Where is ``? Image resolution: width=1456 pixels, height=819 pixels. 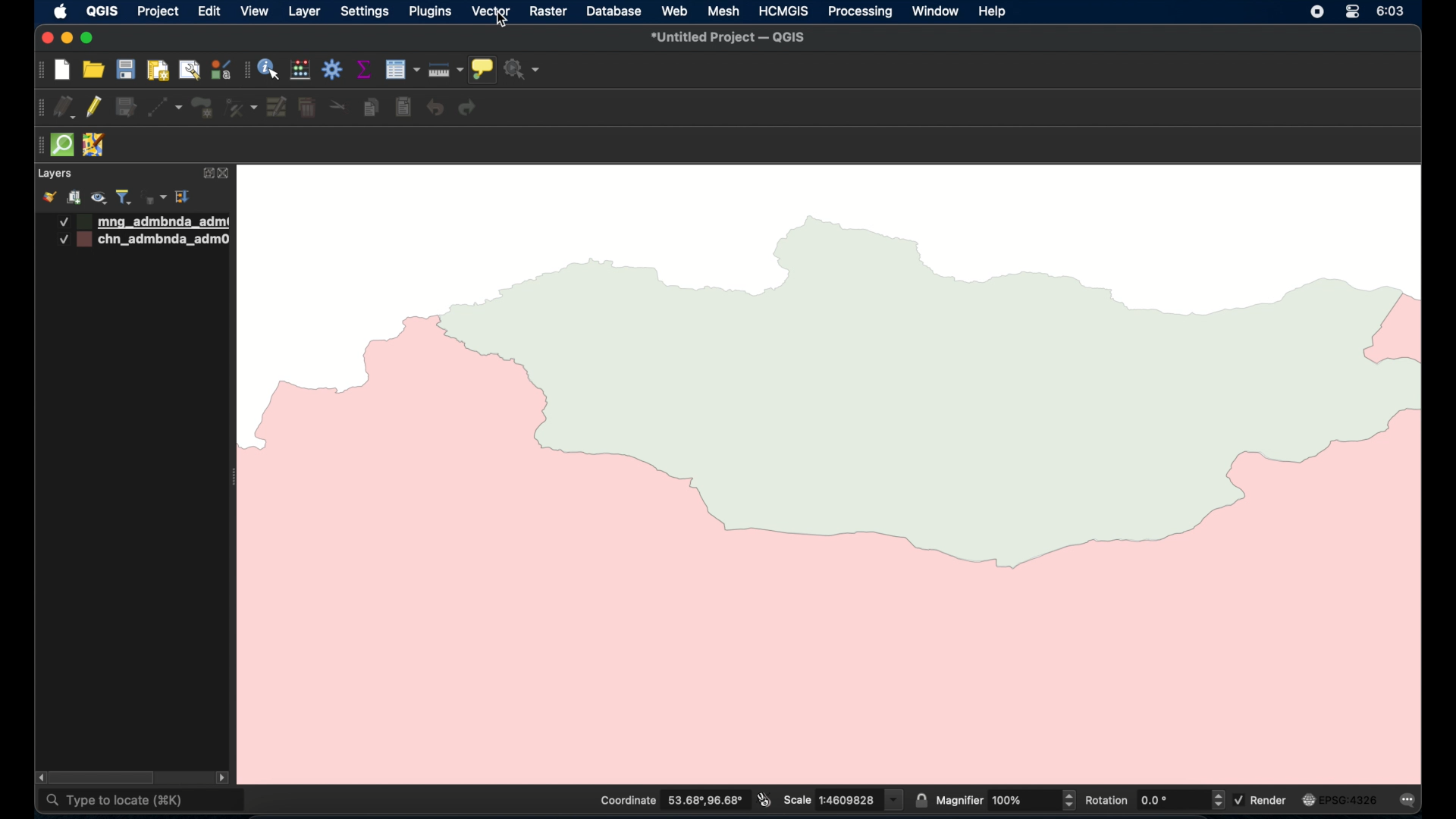
 is located at coordinates (268, 71).